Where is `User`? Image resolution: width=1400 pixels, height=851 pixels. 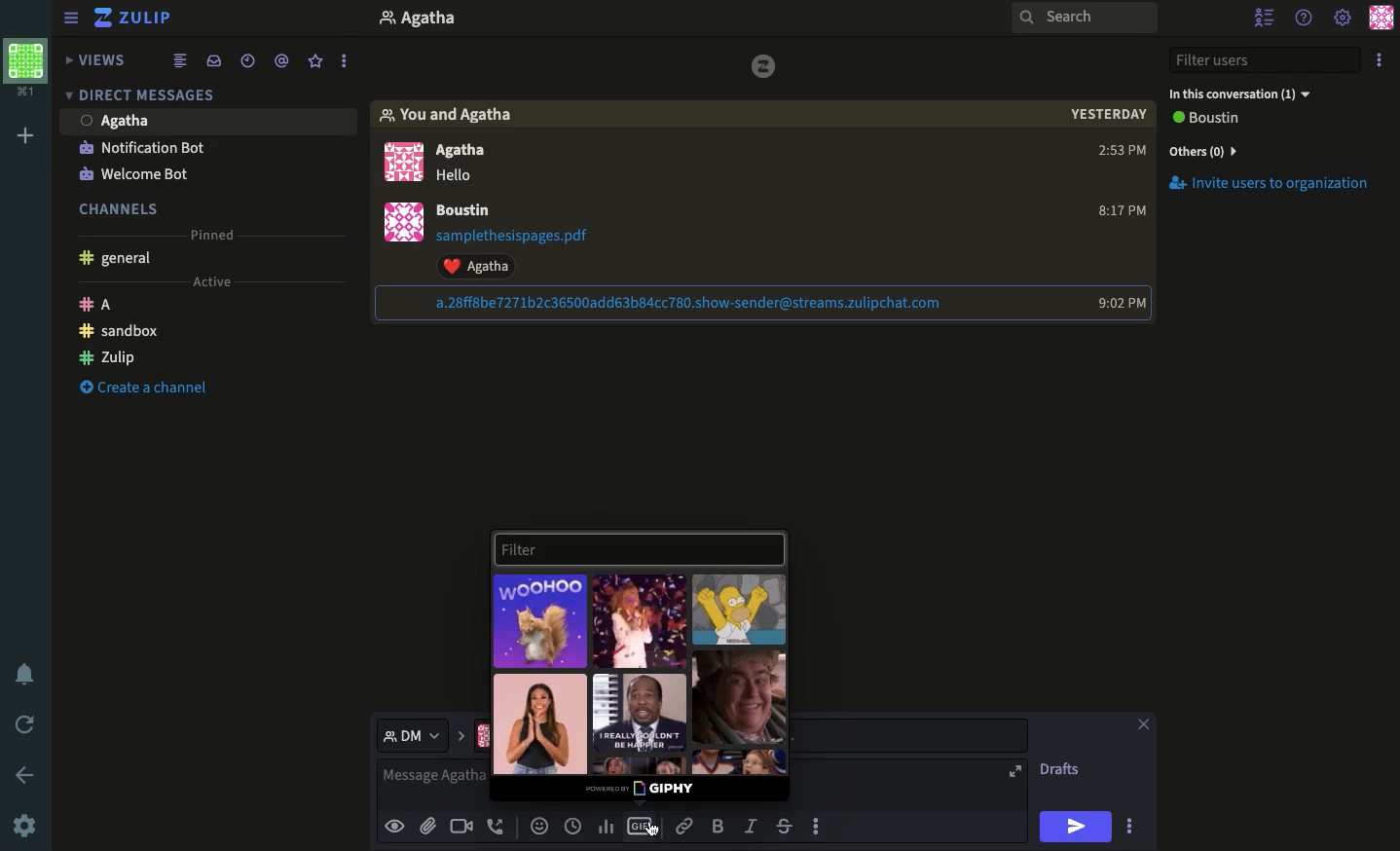
User is located at coordinates (474, 210).